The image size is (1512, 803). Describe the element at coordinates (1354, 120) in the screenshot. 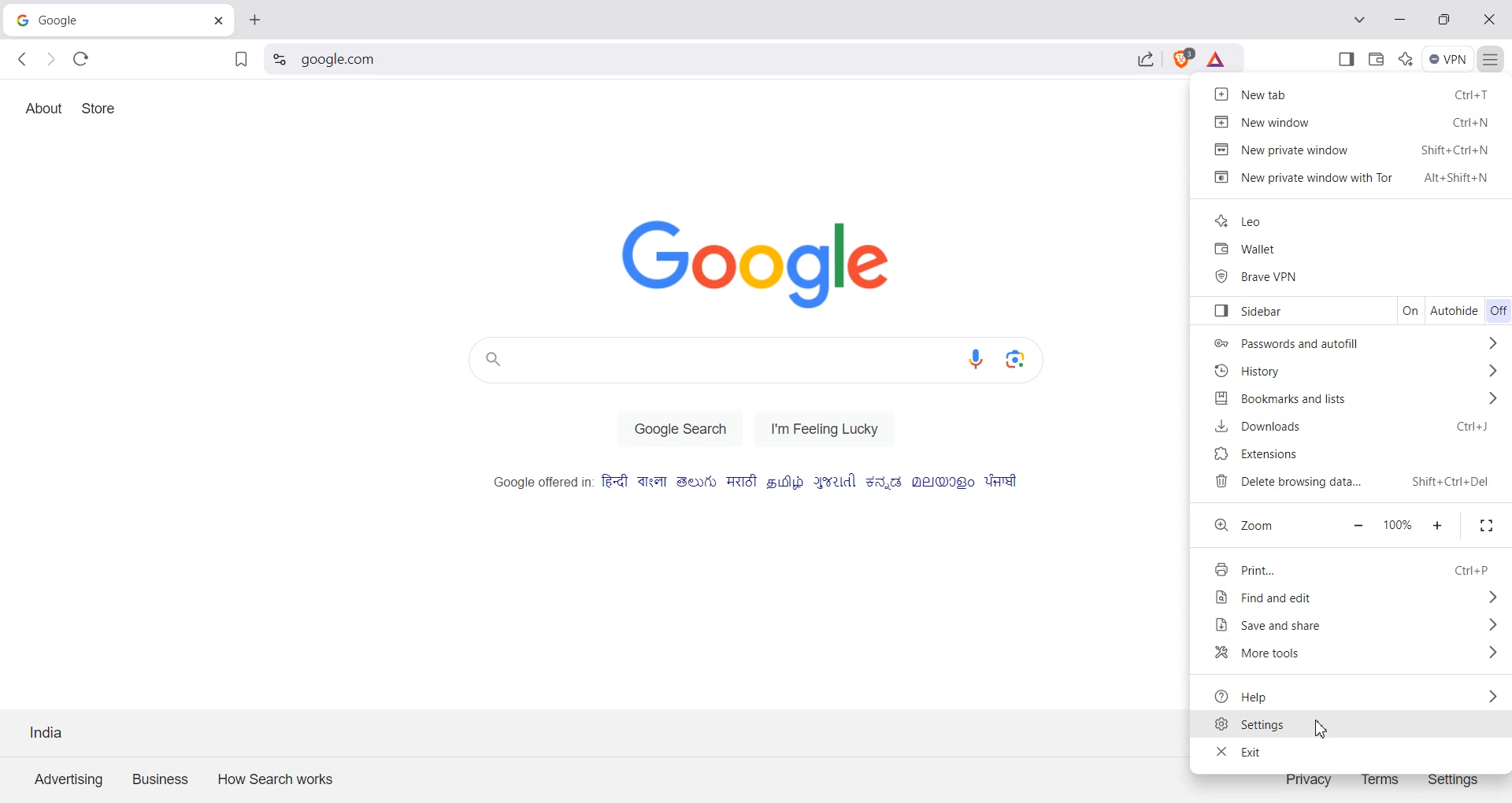

I see `New window` at that location.